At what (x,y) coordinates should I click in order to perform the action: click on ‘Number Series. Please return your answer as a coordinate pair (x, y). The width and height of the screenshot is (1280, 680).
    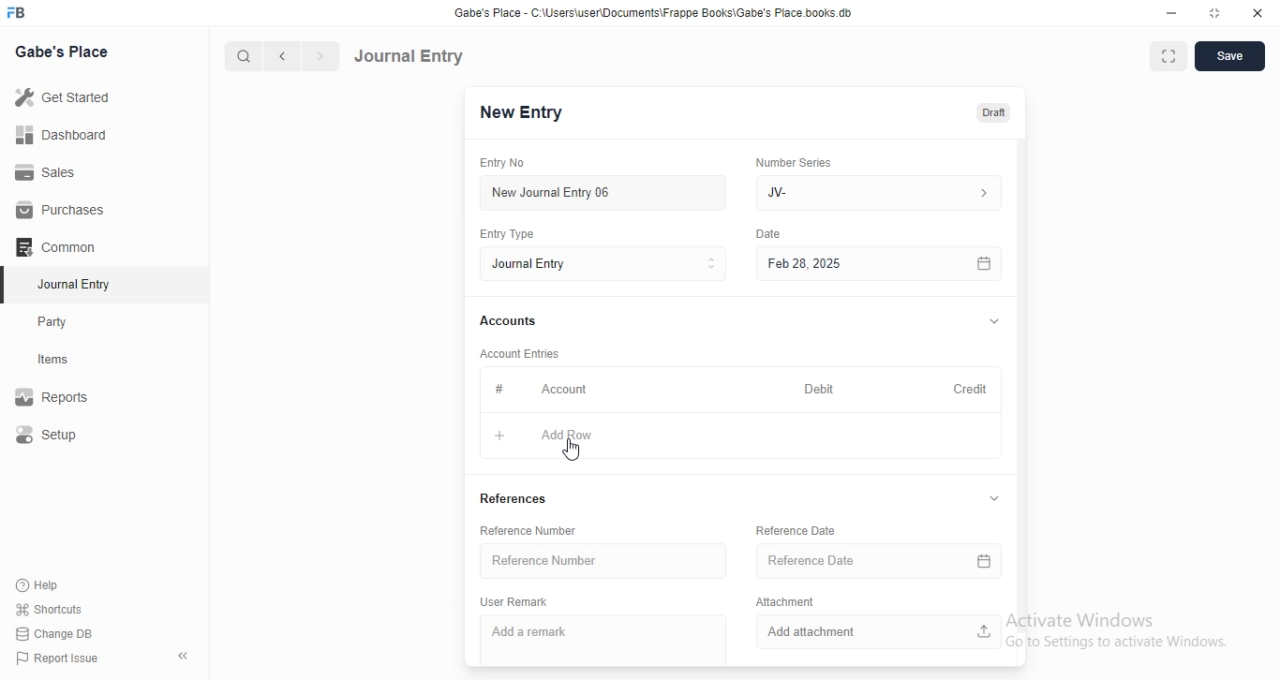
    Looking at the image, I should click on (805, 160).